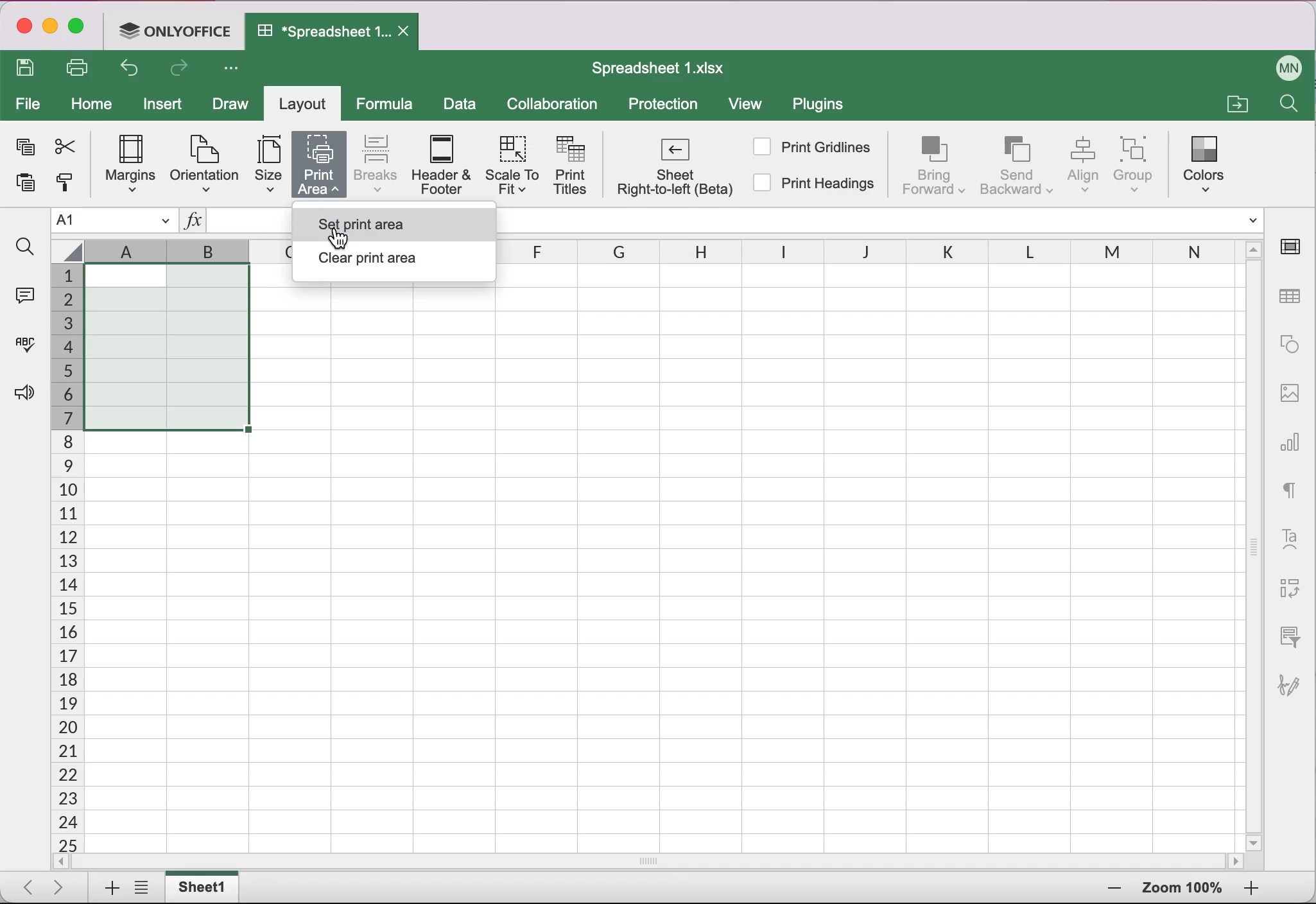 The width and height of the screenshot is (1316, 904). Describe the element at coordinates (813, 146) in the screenshot. I see `Print gridlines` at that location.